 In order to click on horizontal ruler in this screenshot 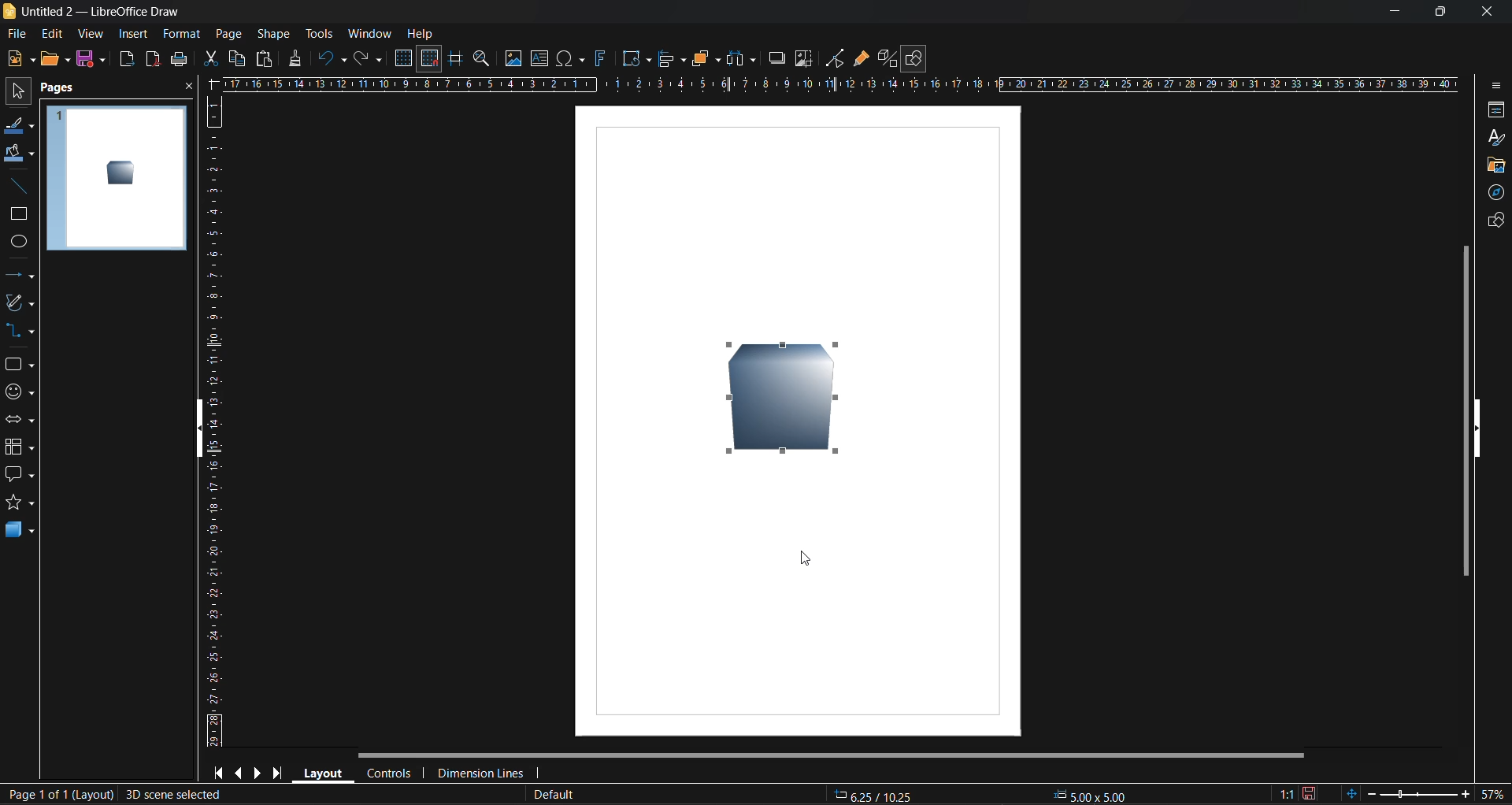, I will do `click(843, 87)`.